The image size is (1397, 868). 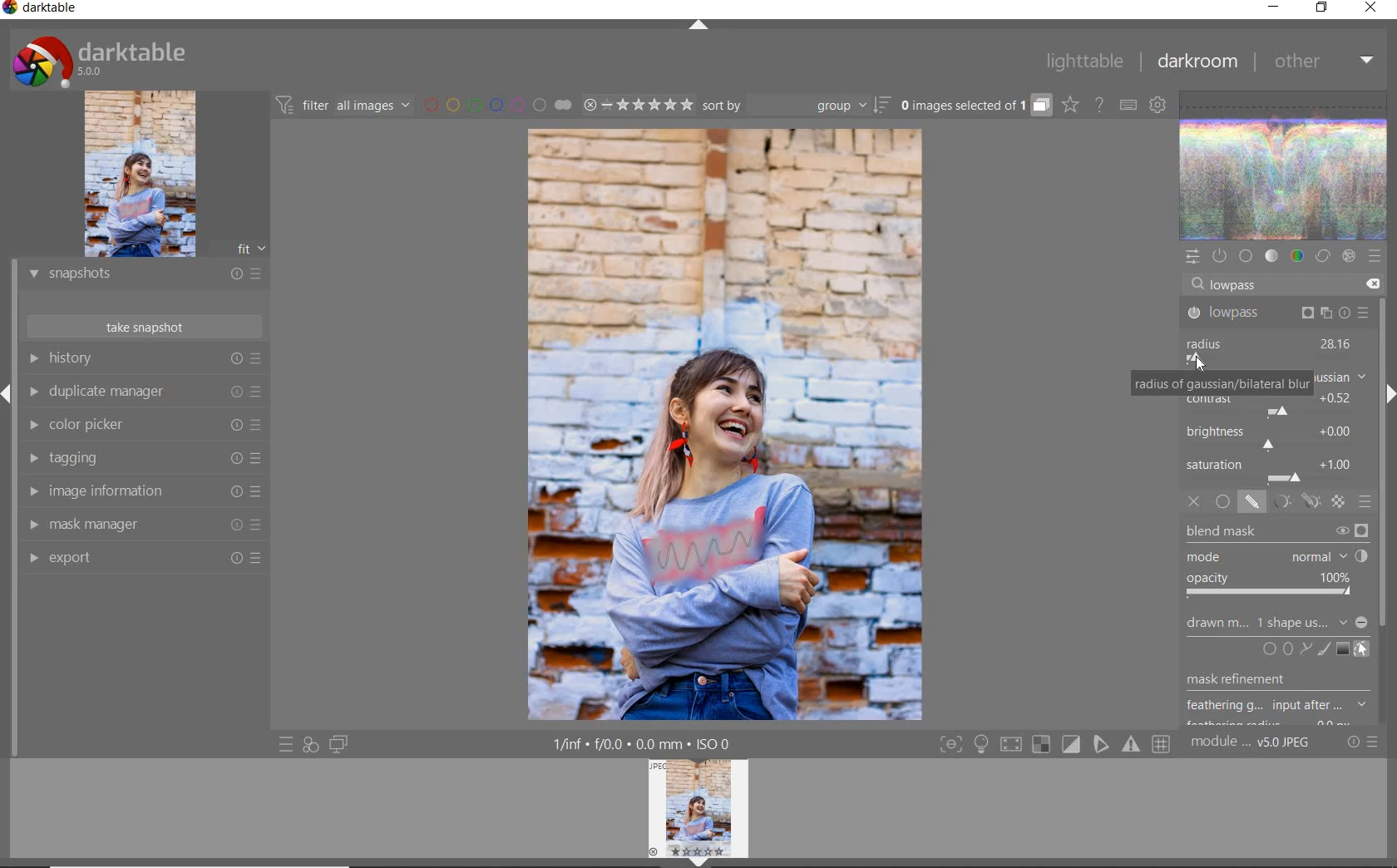 I want to click on sort, so click(x=797, y=107).